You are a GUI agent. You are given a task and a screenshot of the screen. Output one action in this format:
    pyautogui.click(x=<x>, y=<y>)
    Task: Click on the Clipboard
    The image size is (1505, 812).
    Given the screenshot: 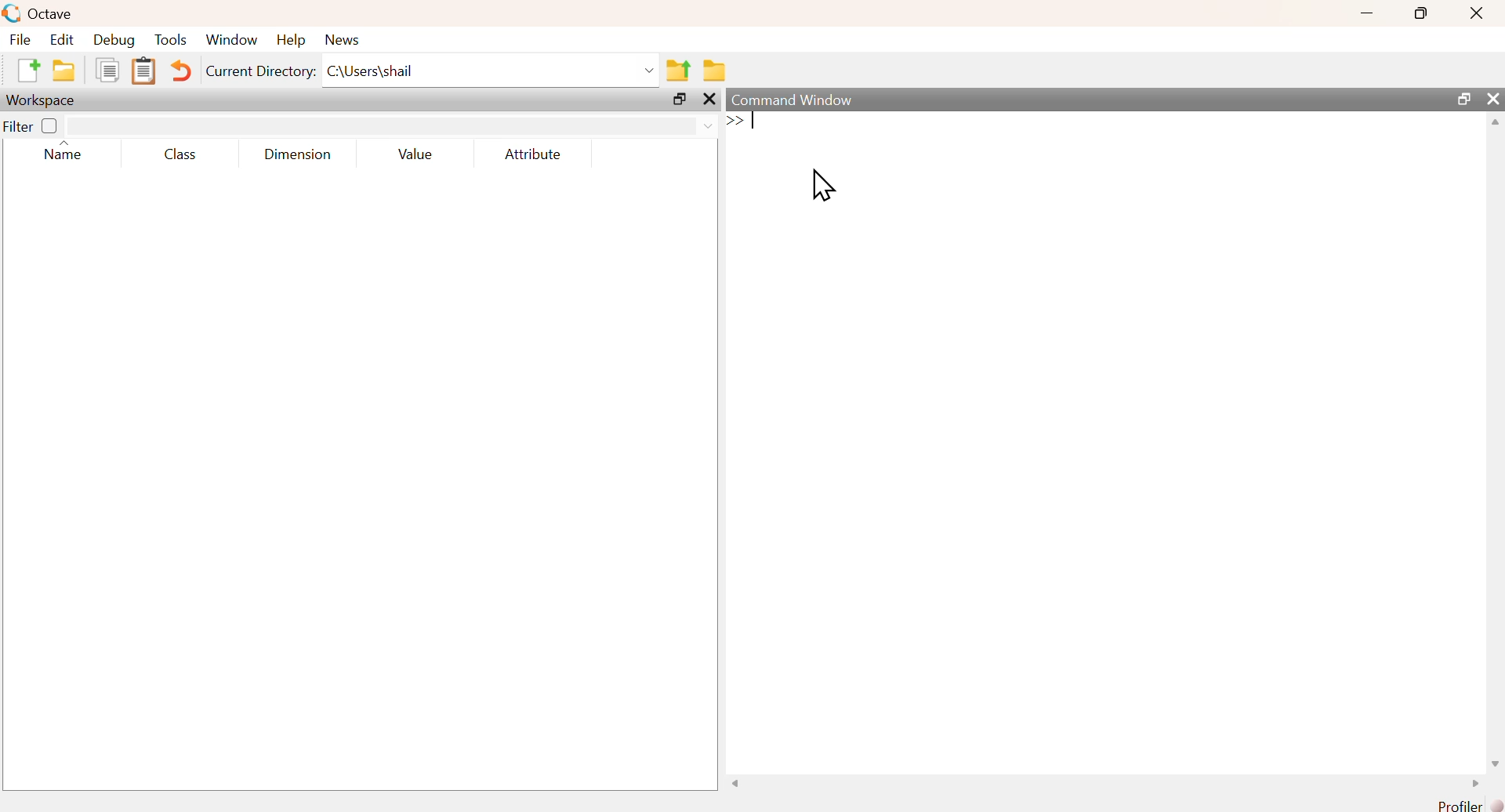 What is the action you would take?
    pyautogui.click(x=143, y=71)
    